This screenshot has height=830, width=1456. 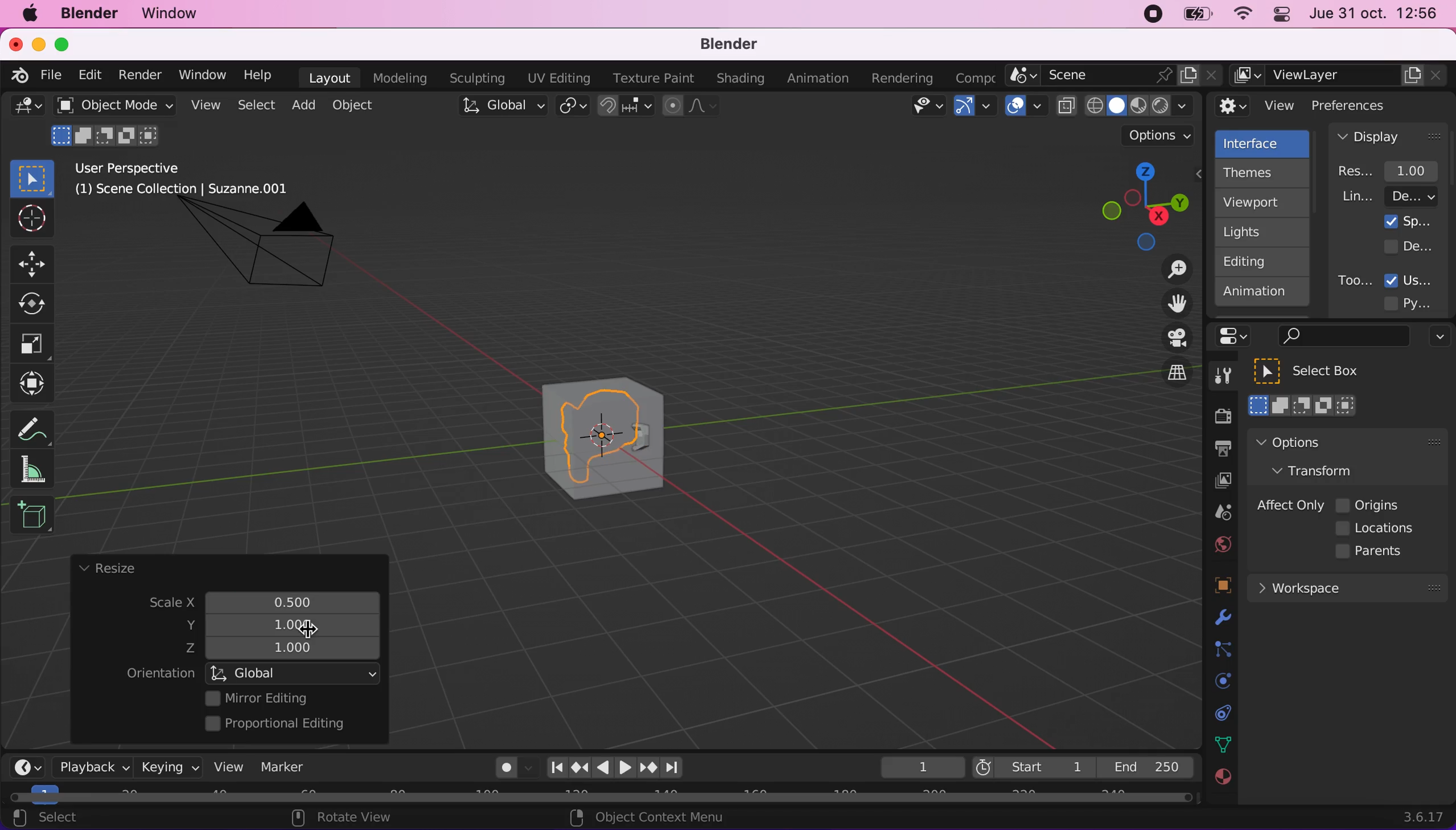 What do you see at coordinates (1394, 170) in the screenshot?
I see `resolution scale` at bounding box center [1394, 170].